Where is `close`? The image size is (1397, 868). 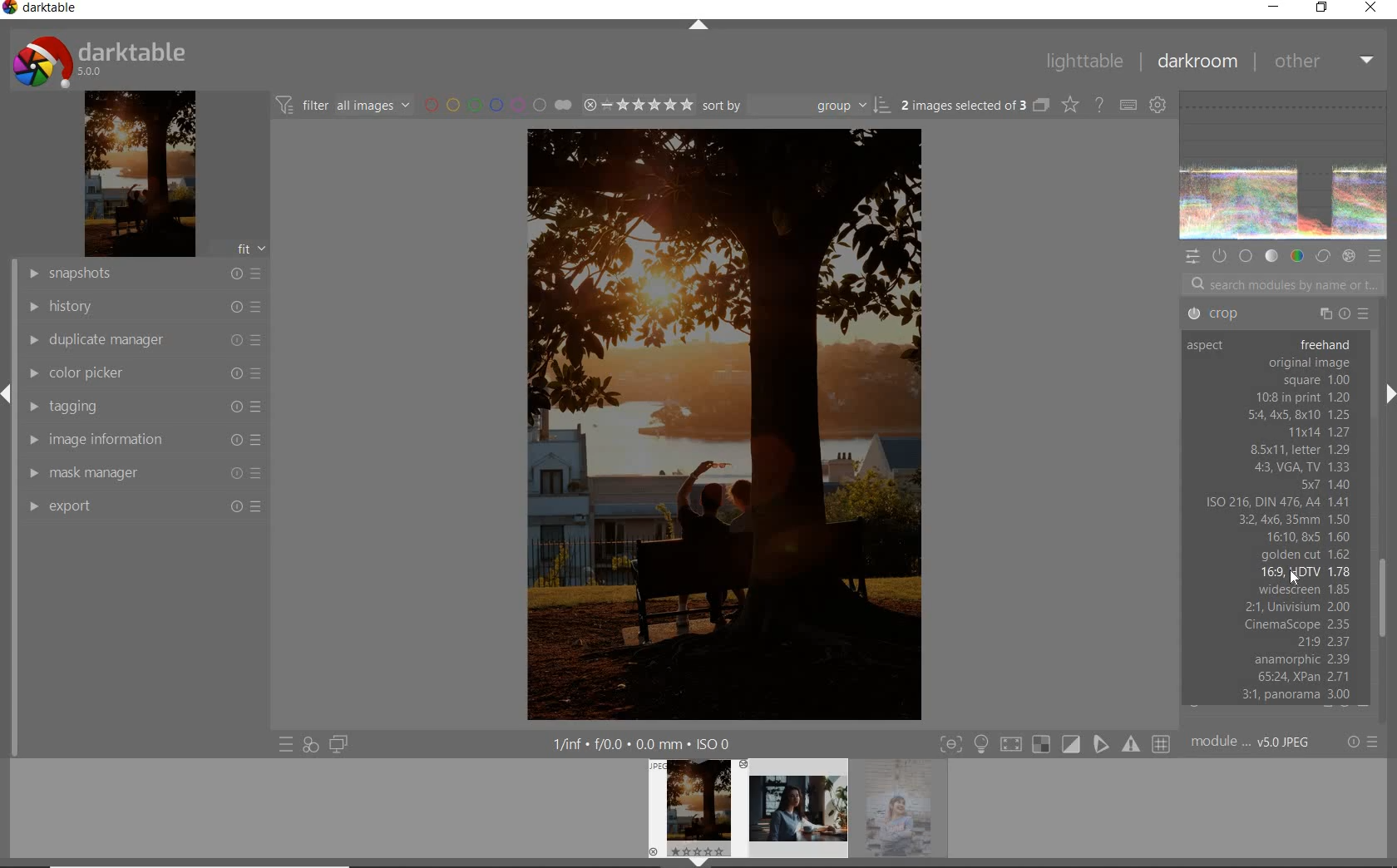 close is located at coordinates (1370, 8).